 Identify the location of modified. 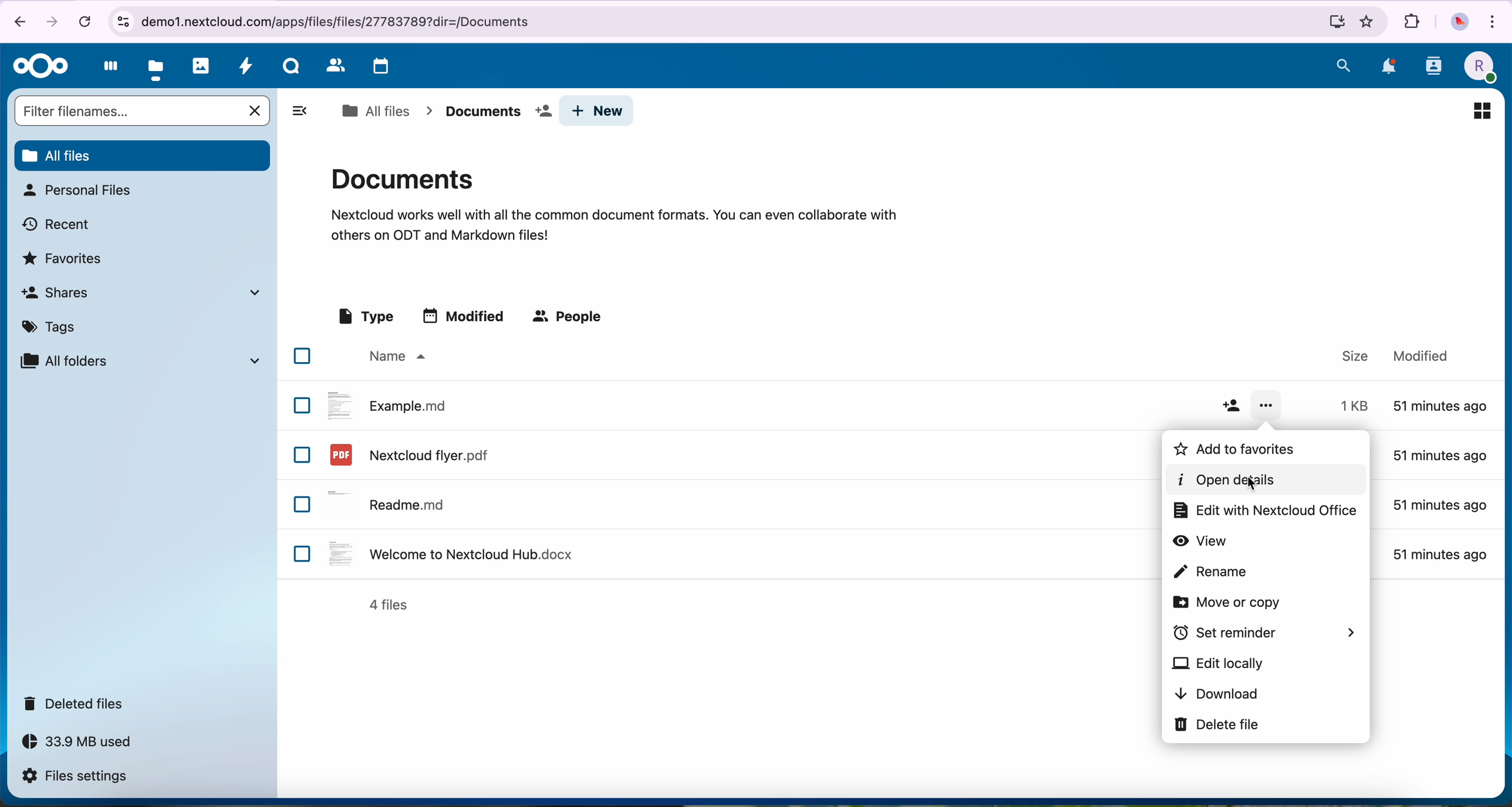
(1440, 457).